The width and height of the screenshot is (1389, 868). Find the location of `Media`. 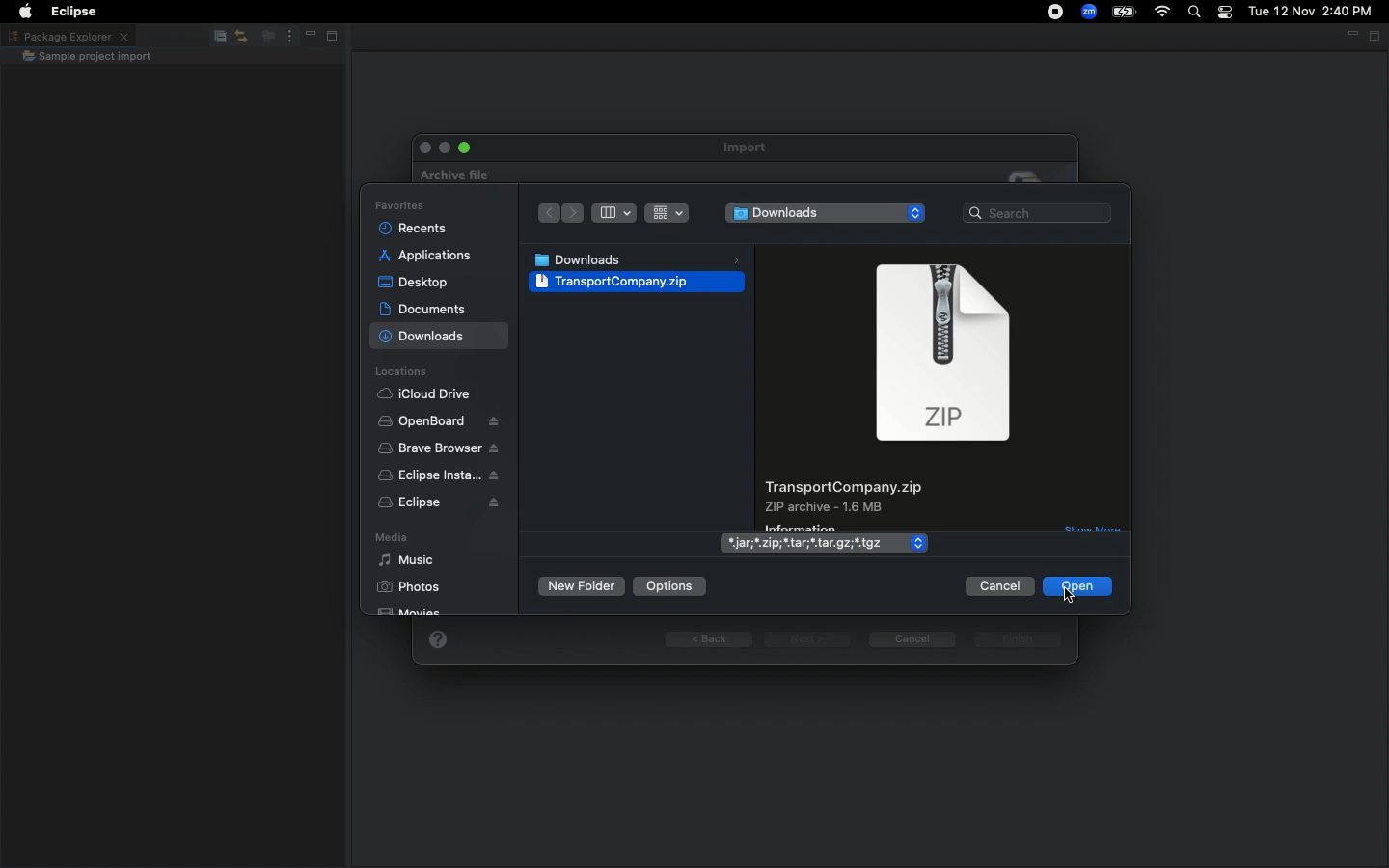

Media is located at coordinates (394, 539).